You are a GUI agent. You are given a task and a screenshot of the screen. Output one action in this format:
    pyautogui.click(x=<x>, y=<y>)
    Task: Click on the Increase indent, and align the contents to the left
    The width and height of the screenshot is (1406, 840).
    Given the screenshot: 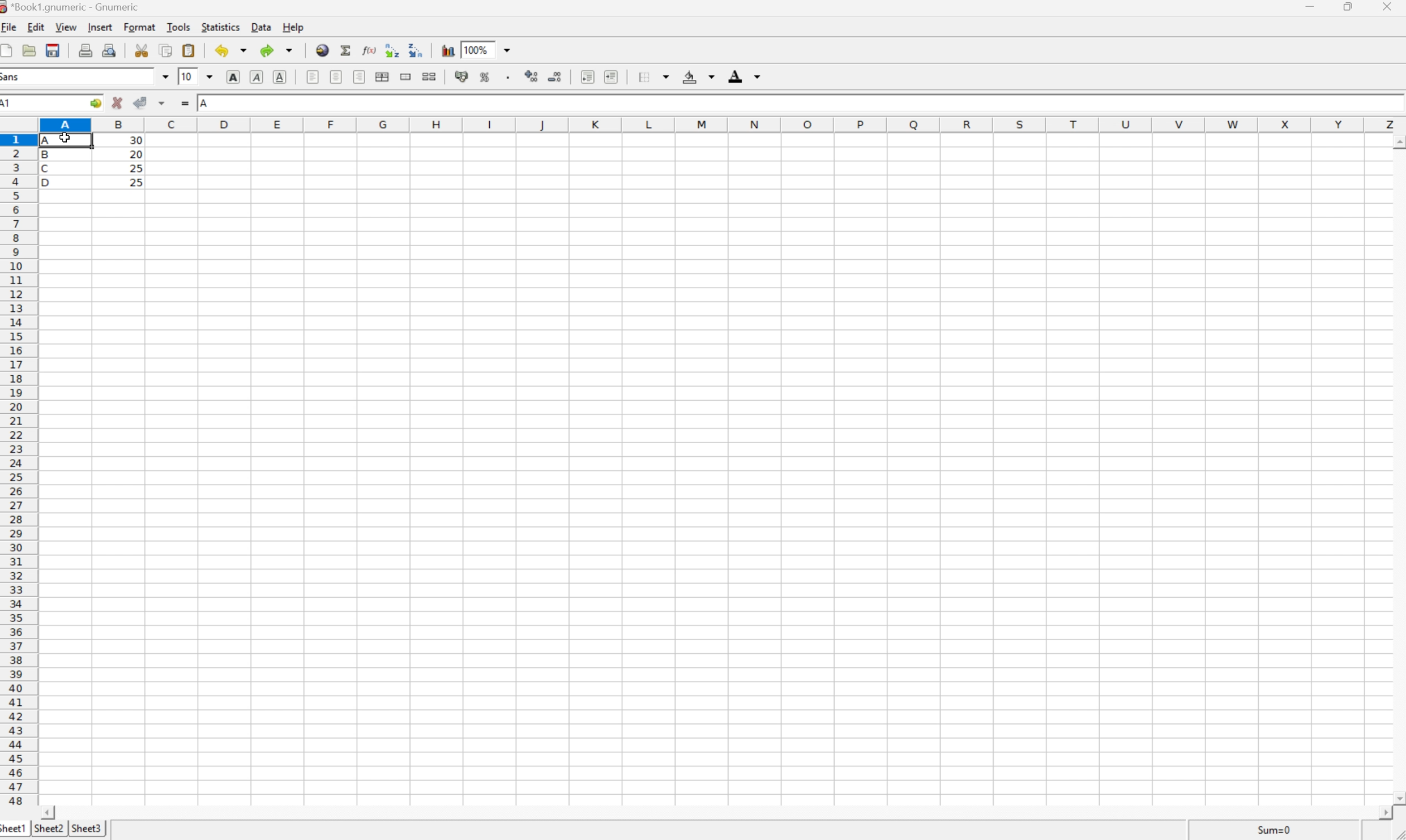 What is the action you would take?
    pyautogui.click(x=614, y=77)
    